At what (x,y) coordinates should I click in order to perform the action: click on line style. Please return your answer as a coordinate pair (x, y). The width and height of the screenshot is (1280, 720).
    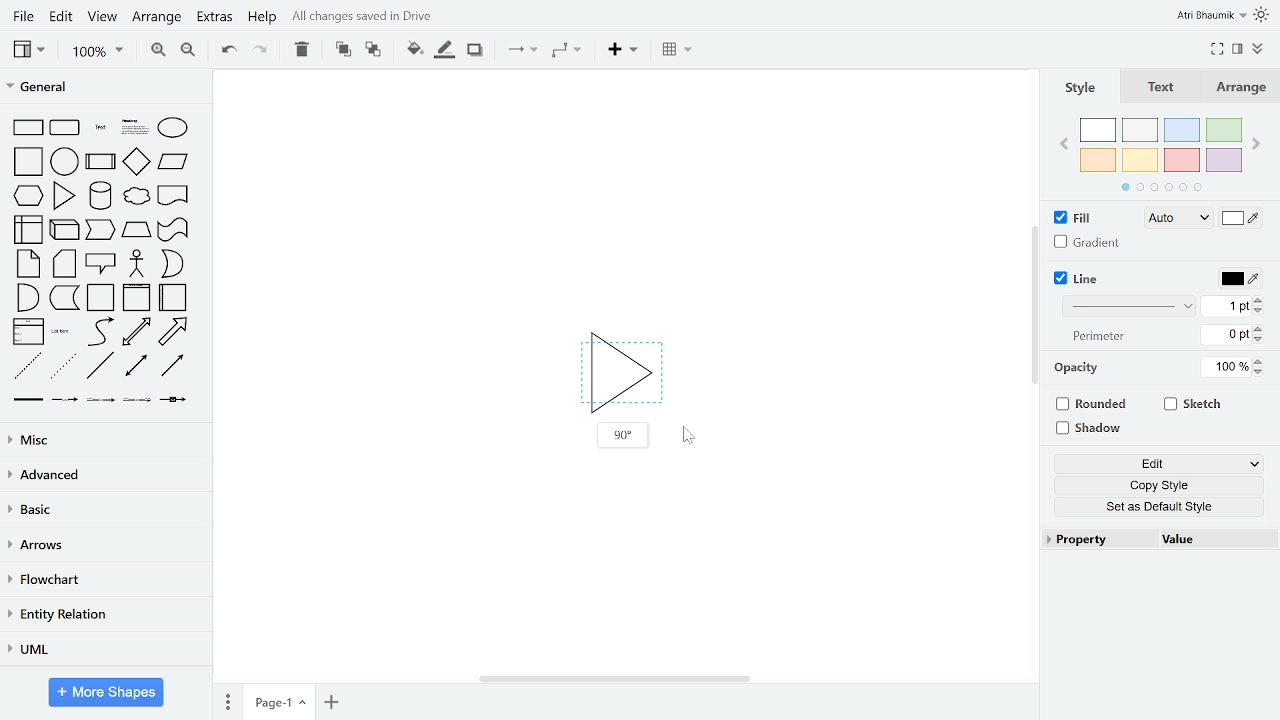
    Looking at the image, I should click on (1129, 307).